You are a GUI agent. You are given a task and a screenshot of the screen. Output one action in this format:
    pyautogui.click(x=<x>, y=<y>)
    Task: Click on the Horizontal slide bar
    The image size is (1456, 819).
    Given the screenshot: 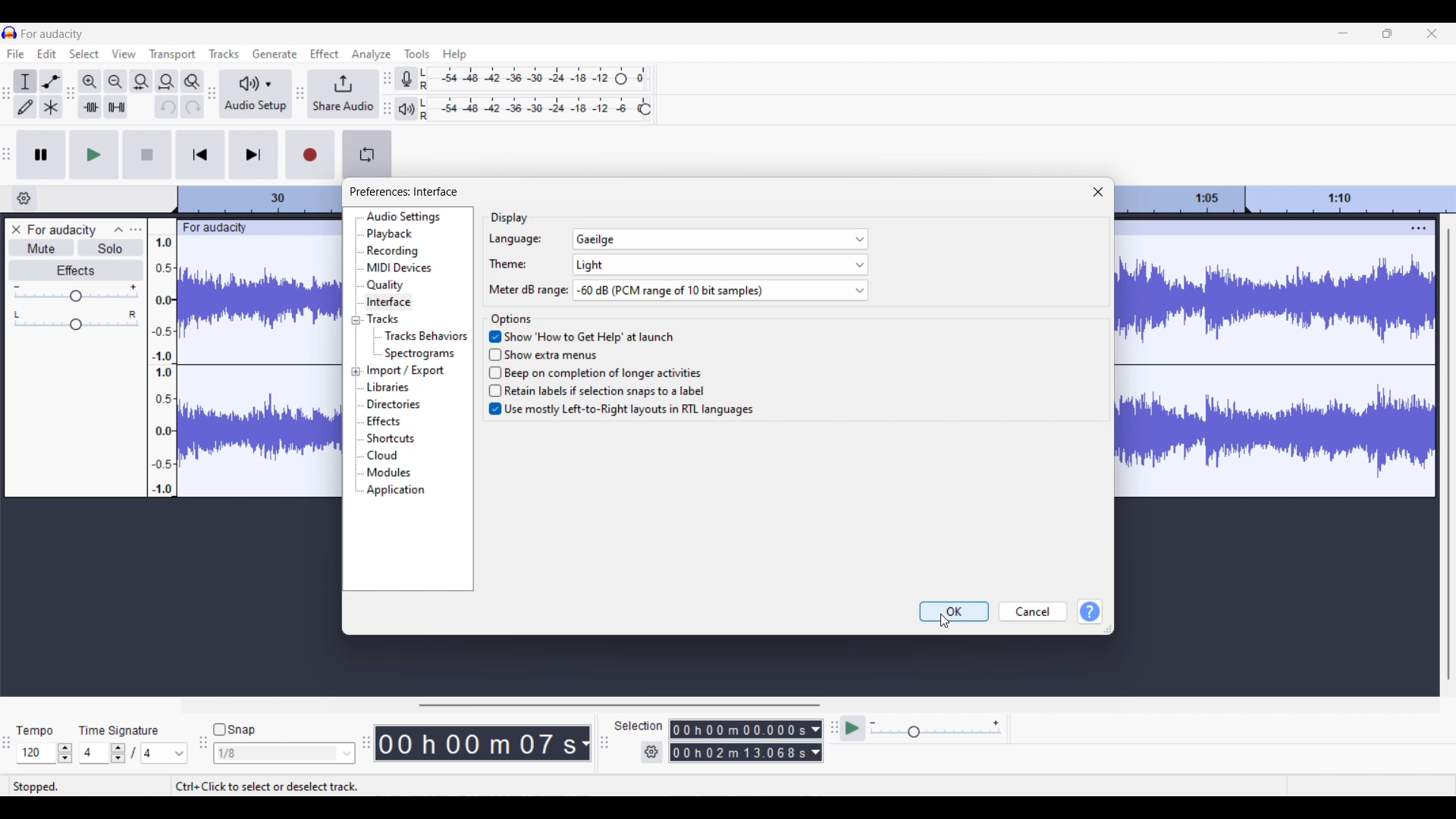 What is the action you would take?
    pyautogui.click(x=619, y=705)
    